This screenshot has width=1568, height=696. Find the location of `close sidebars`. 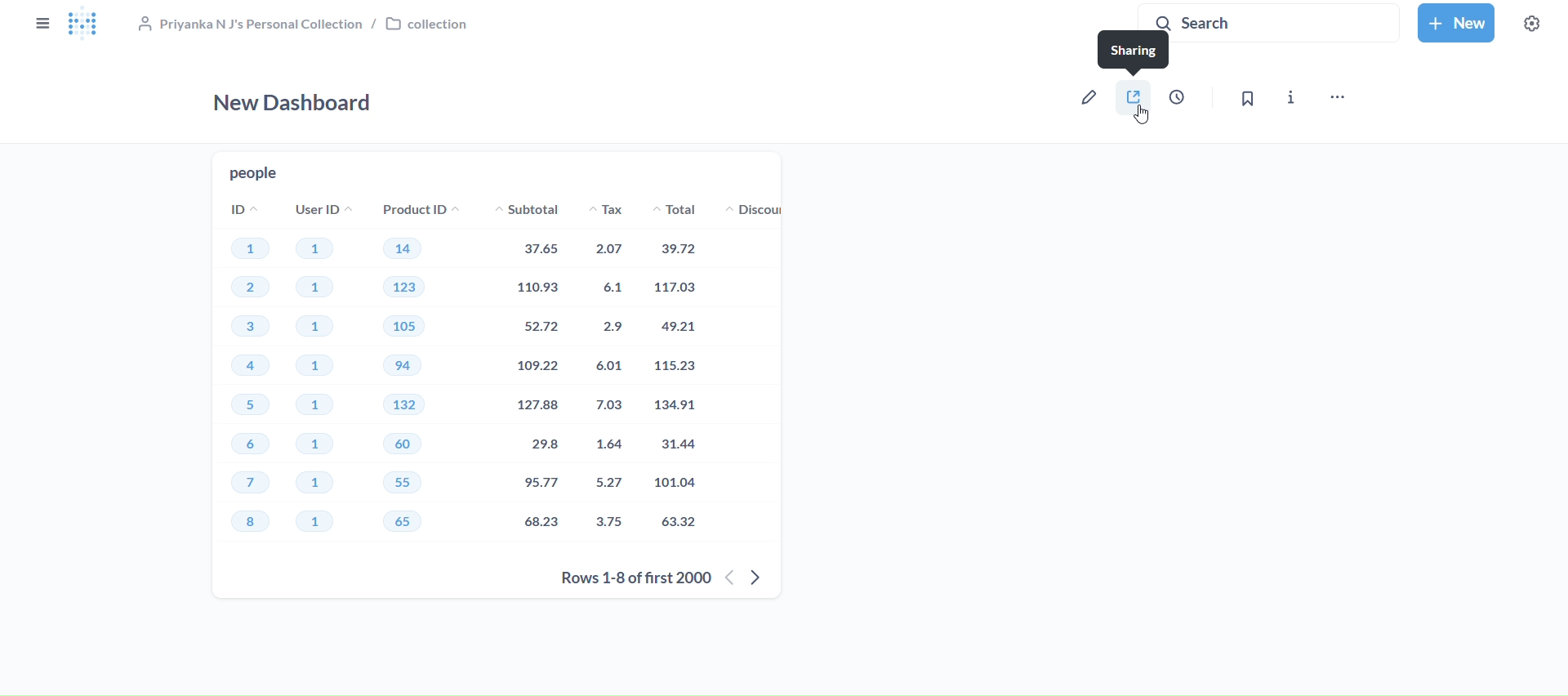

close sidebars is located at coordinates (41, 25).